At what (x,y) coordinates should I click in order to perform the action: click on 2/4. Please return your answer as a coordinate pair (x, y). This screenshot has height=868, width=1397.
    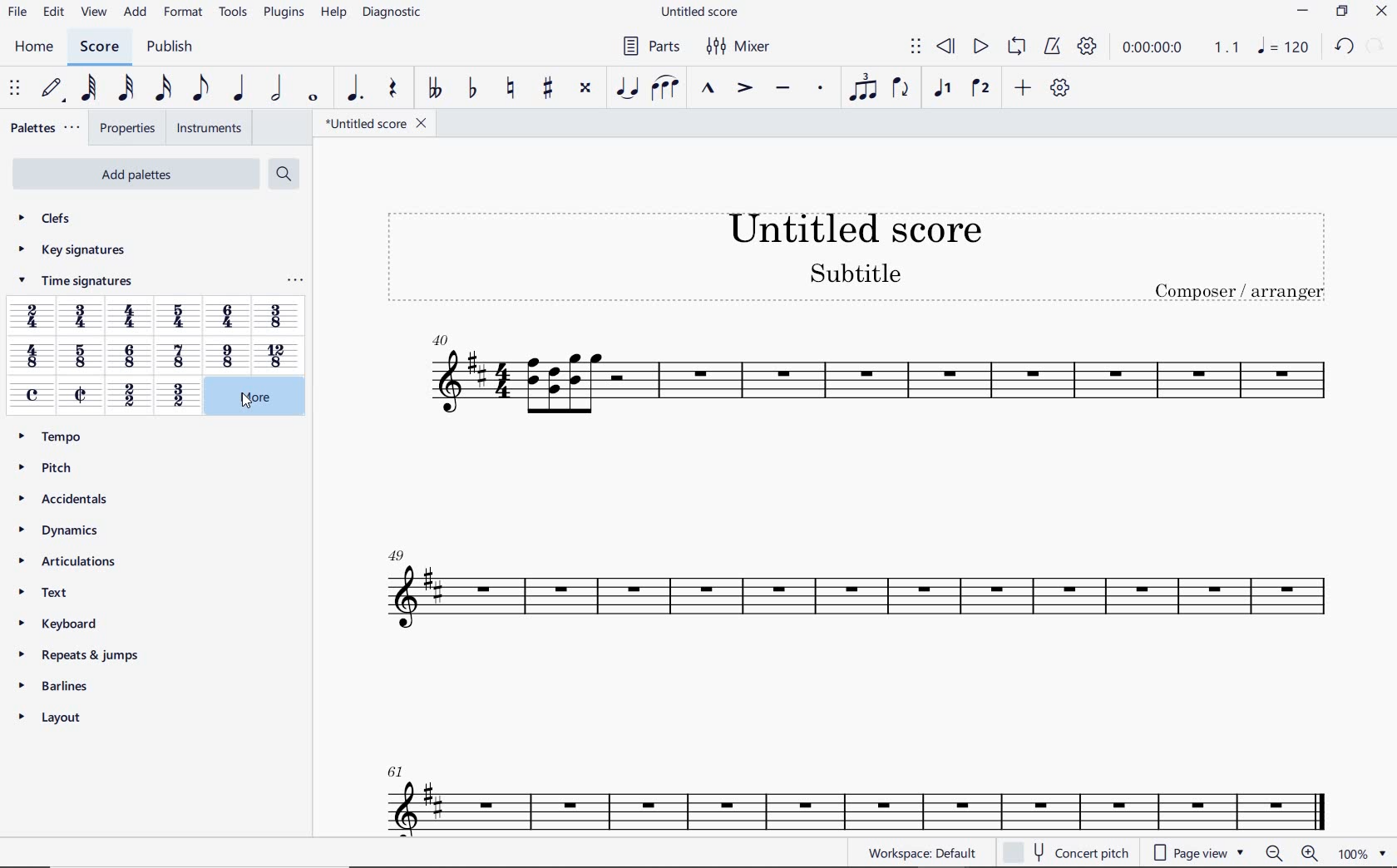
    Looking at the image, I should click on (32, 316).